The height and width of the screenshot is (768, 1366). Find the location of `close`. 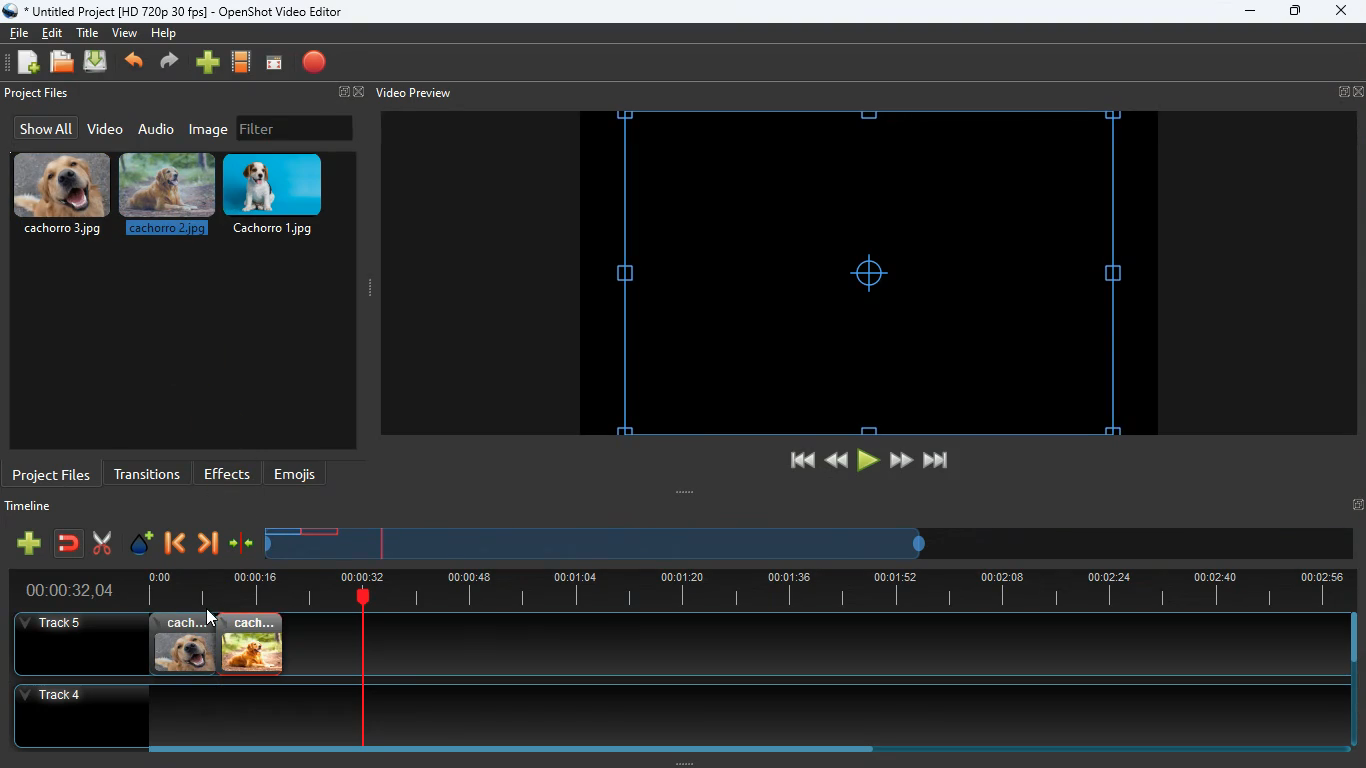

close is located at coordinates (1340, 12).